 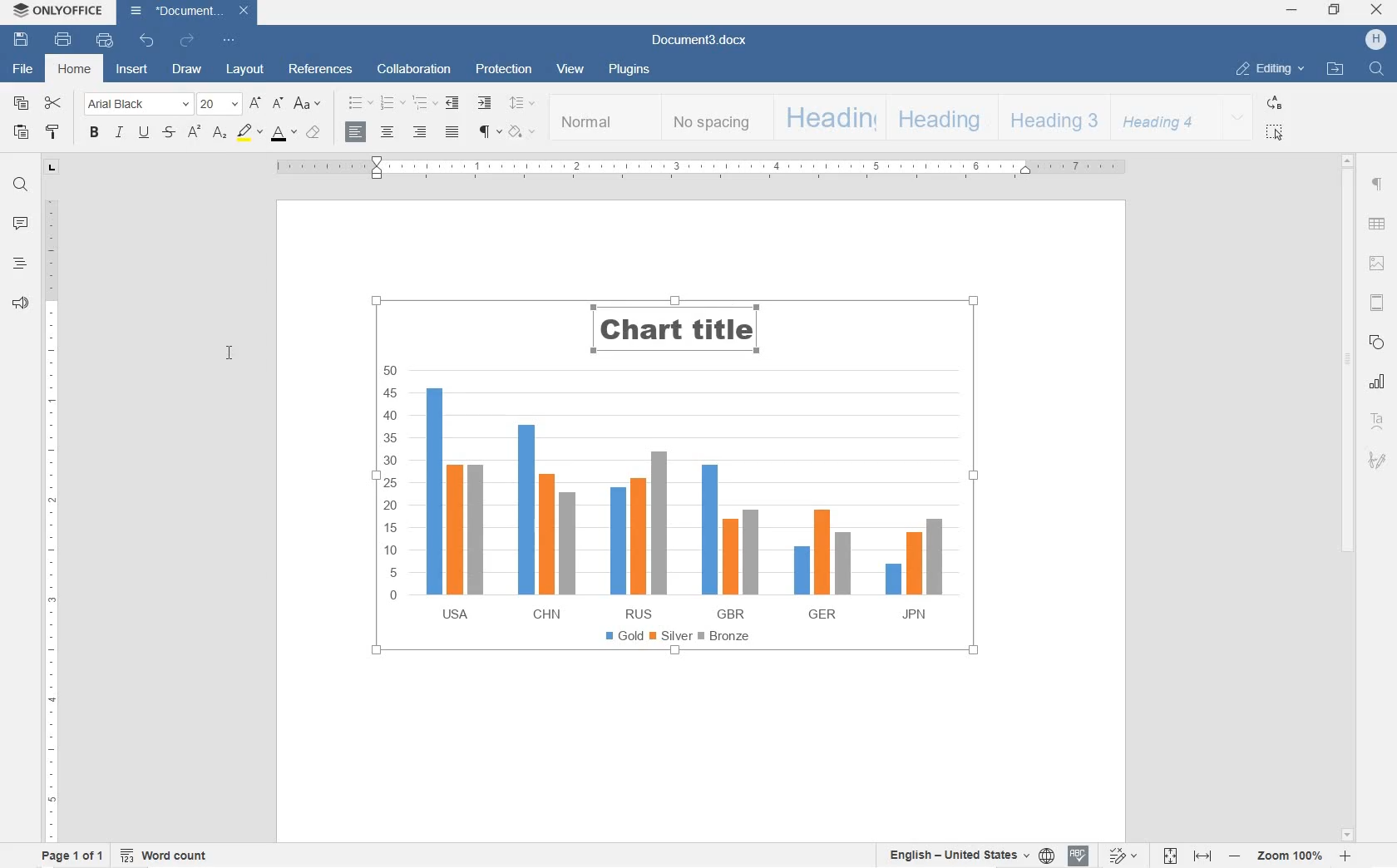 I want to click on EDITING, so click(x=1268, y=70).